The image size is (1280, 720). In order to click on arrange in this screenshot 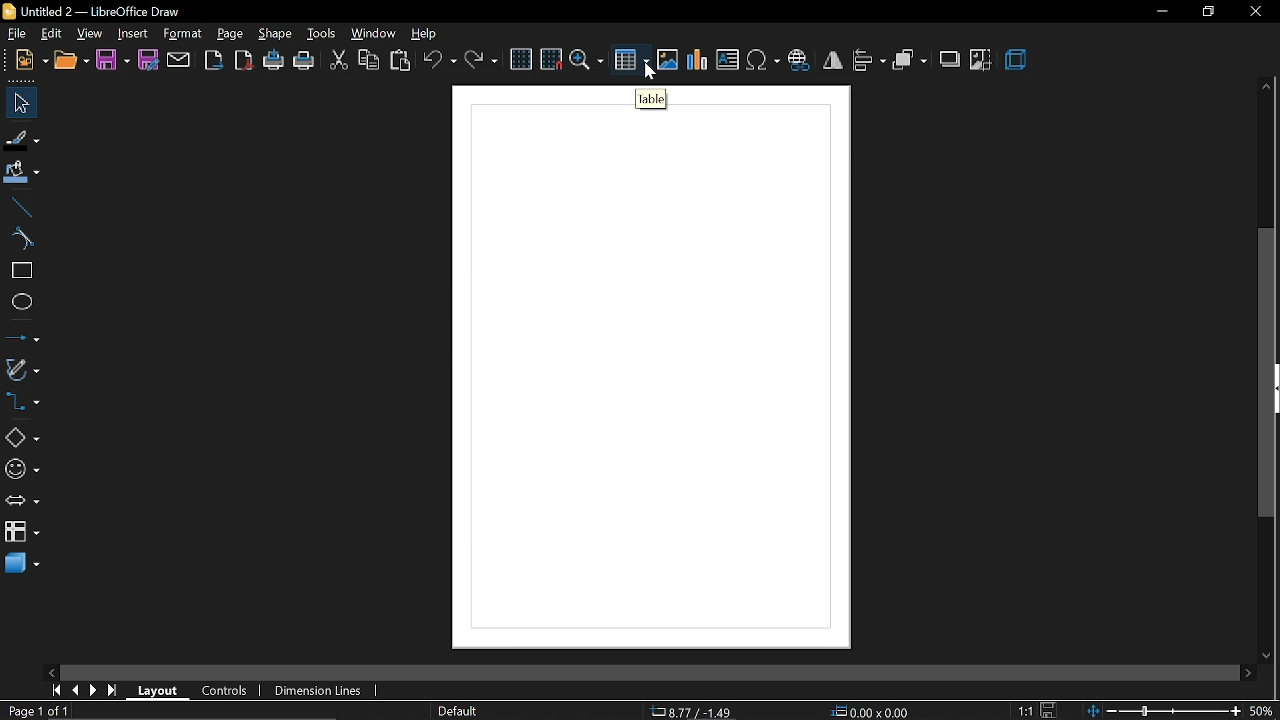, I will do `click(910, 61)`.